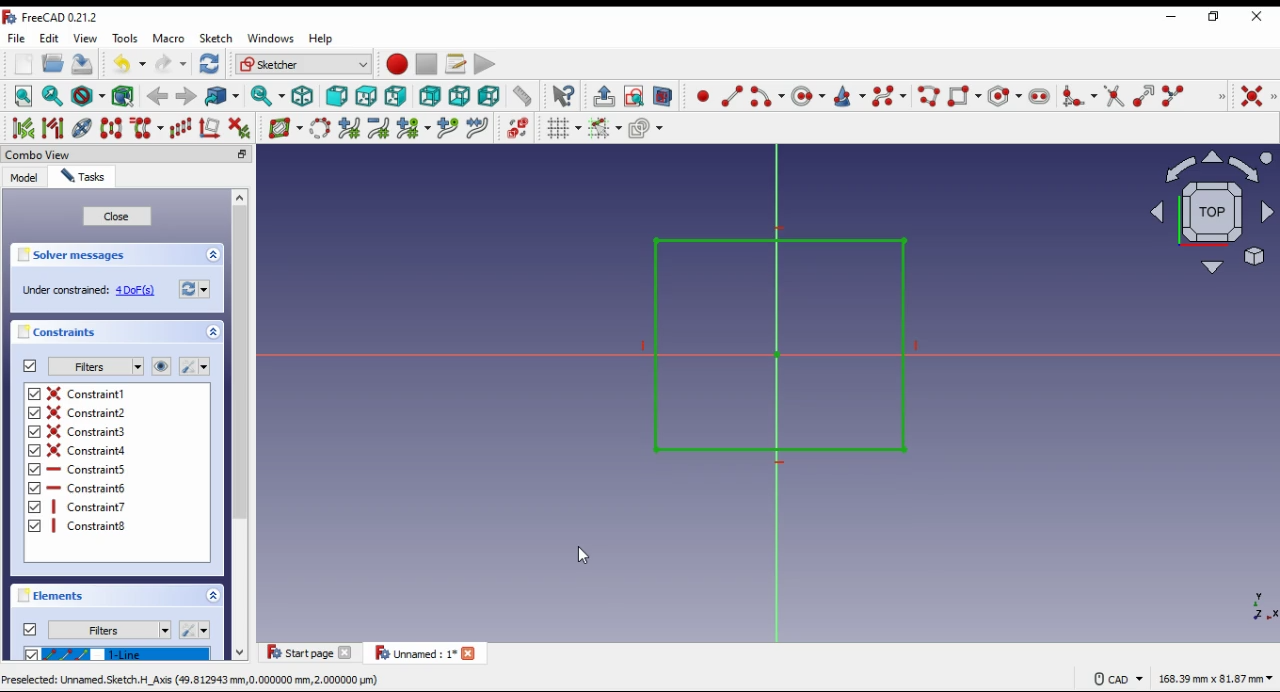  What do you see at coordinates (459, 96) in the screenshot?
I see `bottom` at bounding box center [459, 96].